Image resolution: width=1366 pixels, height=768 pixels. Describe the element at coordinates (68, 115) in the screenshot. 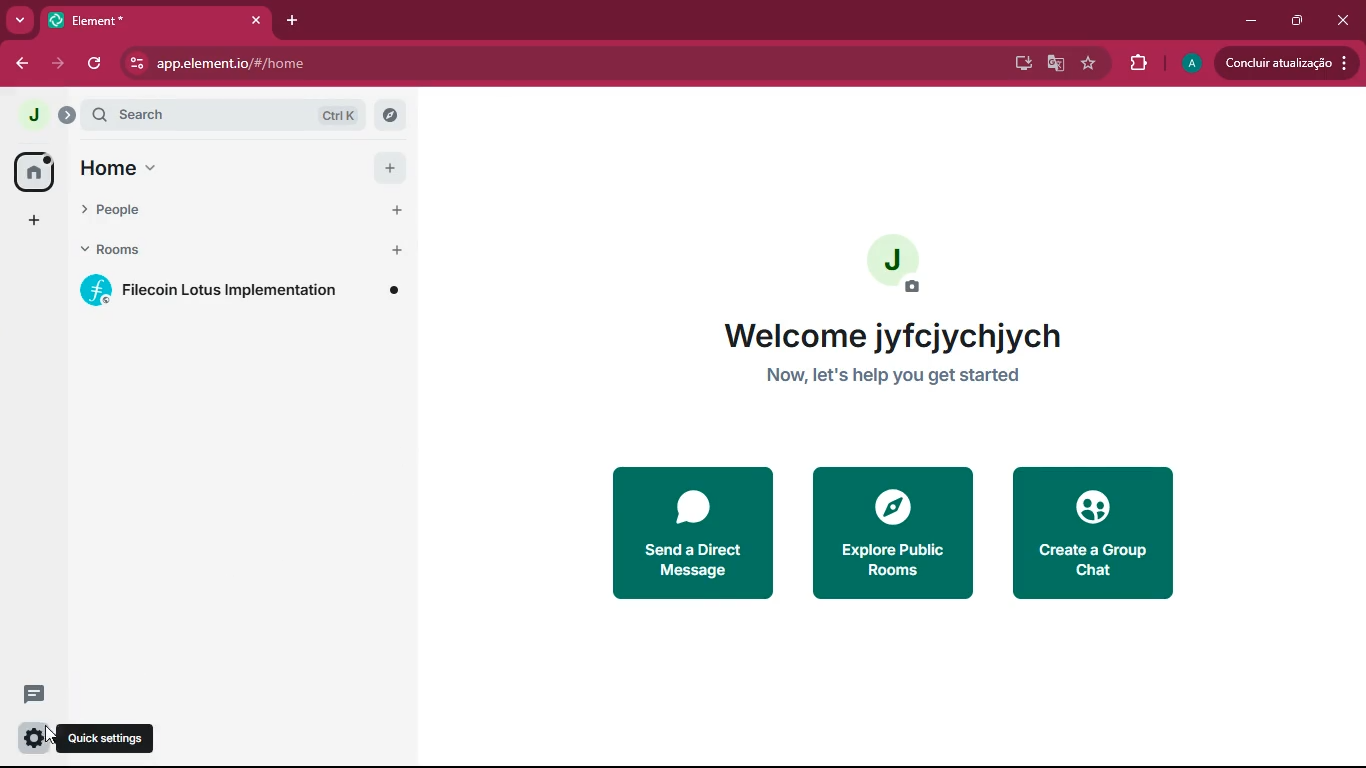

I see `expand` at that location.